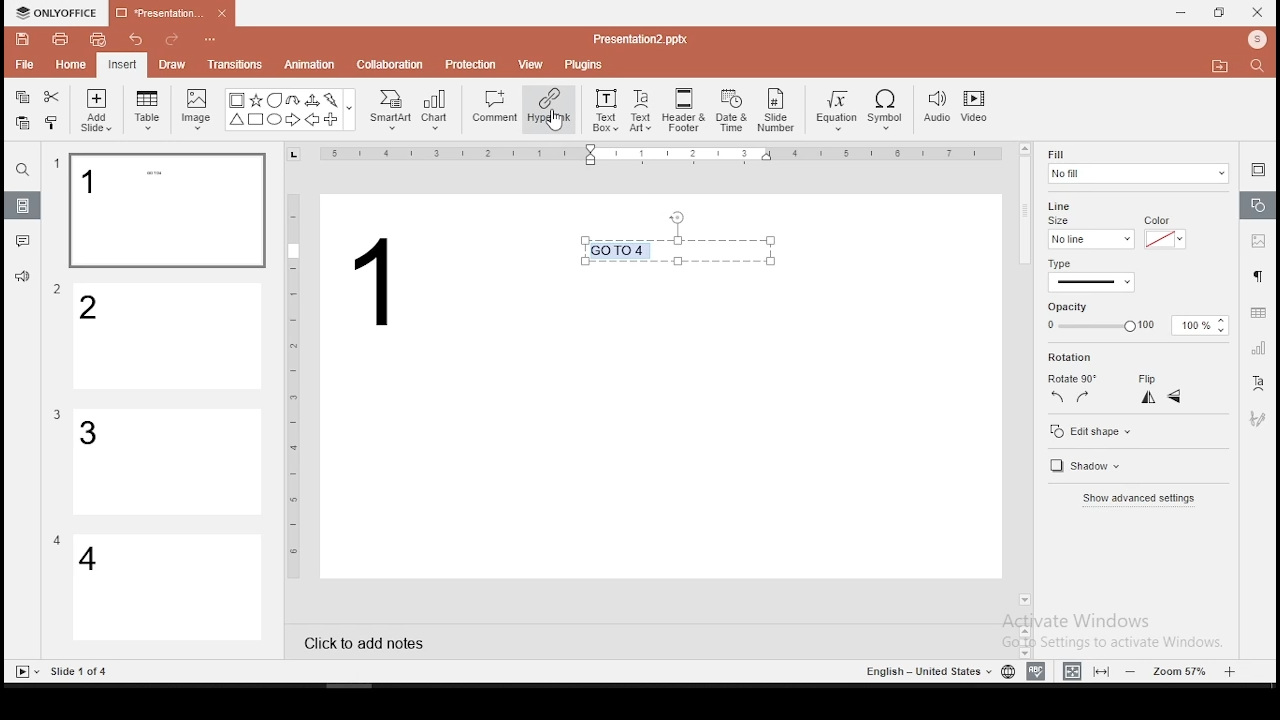 This screenshot has height=720, width=1280. I want to click on quick print, so click(98, 39).